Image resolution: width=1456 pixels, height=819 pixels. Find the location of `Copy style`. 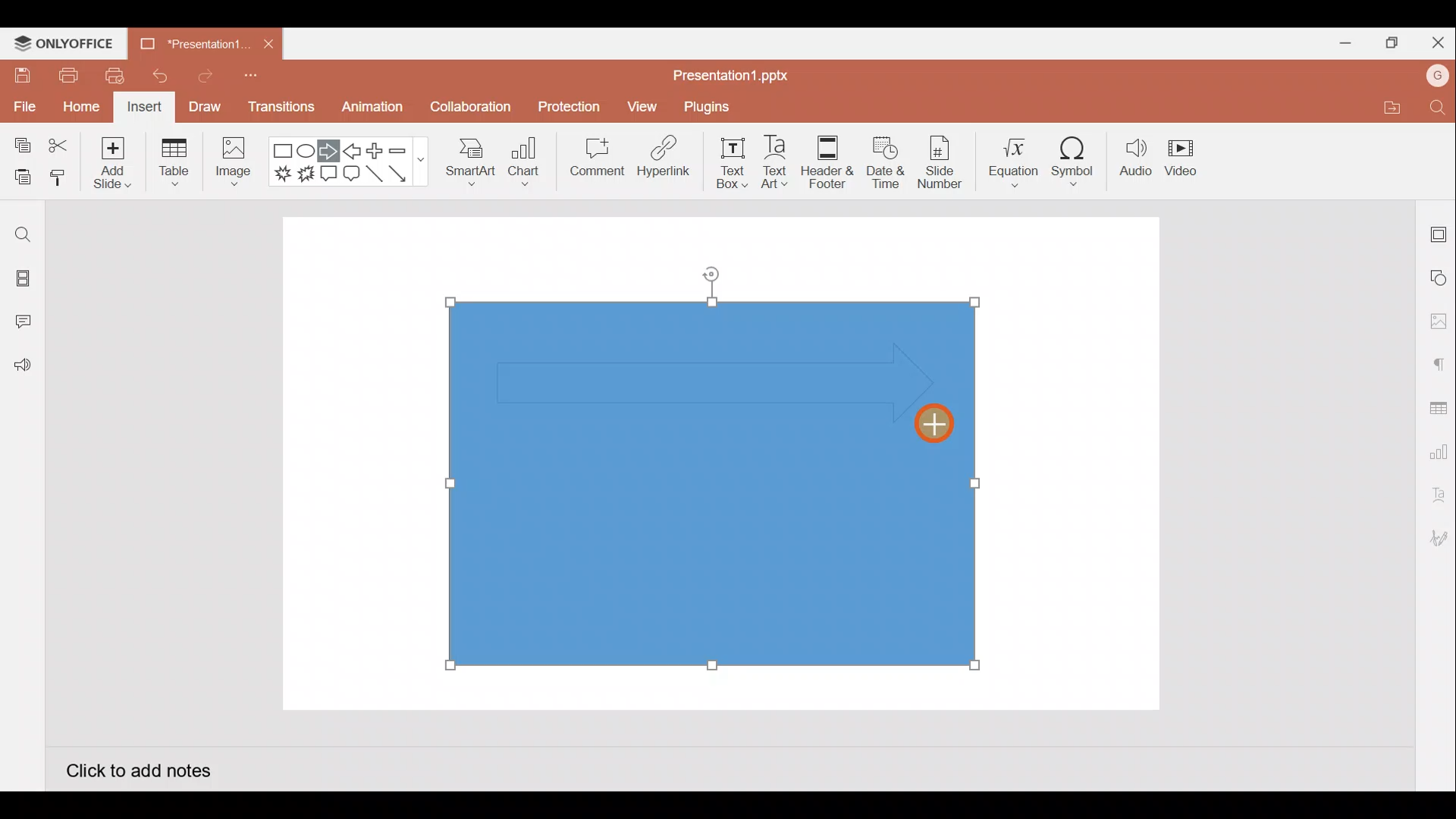

Copy style is located at coordinates (59, 180).